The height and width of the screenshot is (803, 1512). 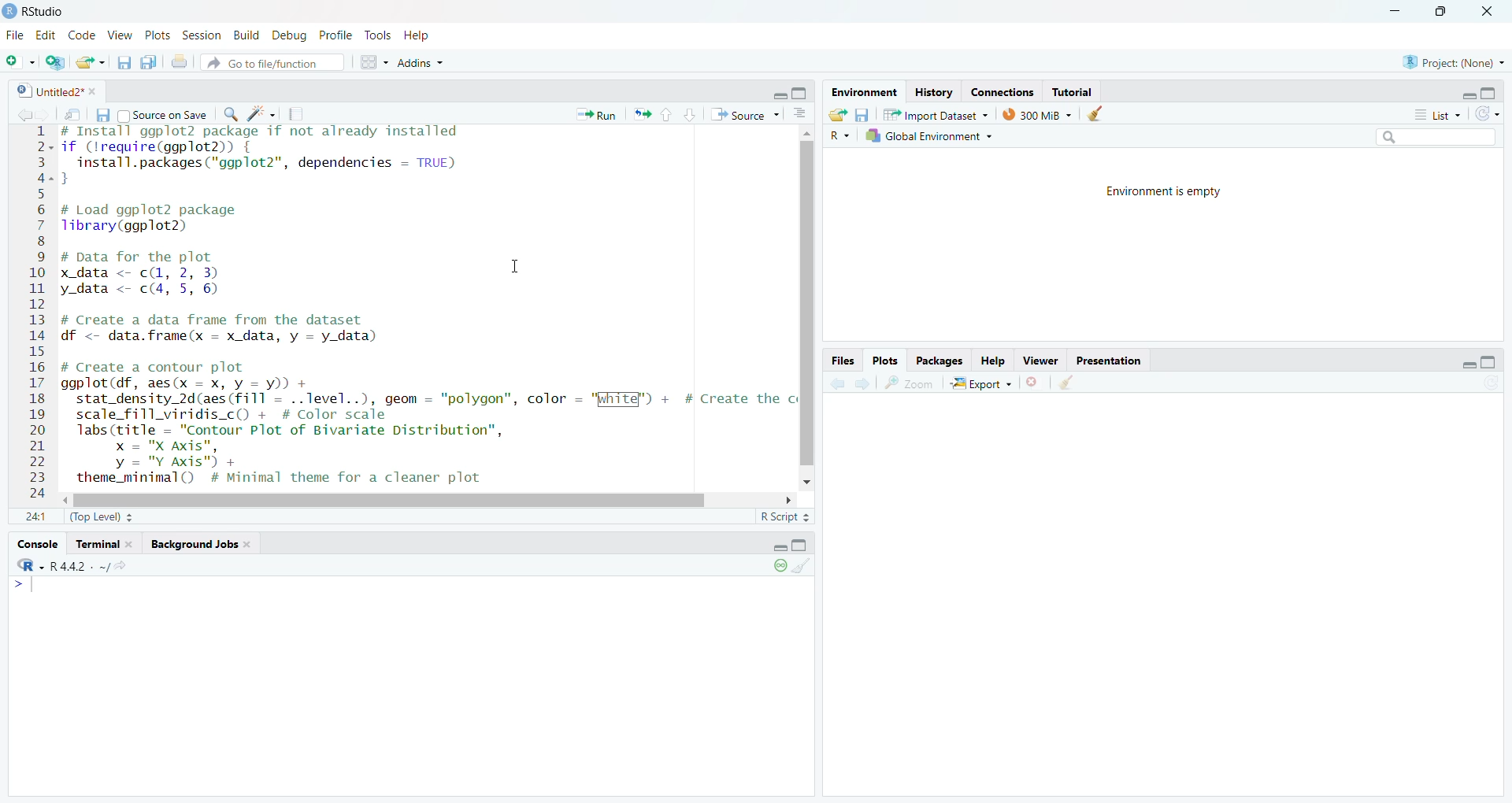 I want to click on Presentation, so click(x=1110, y=361).